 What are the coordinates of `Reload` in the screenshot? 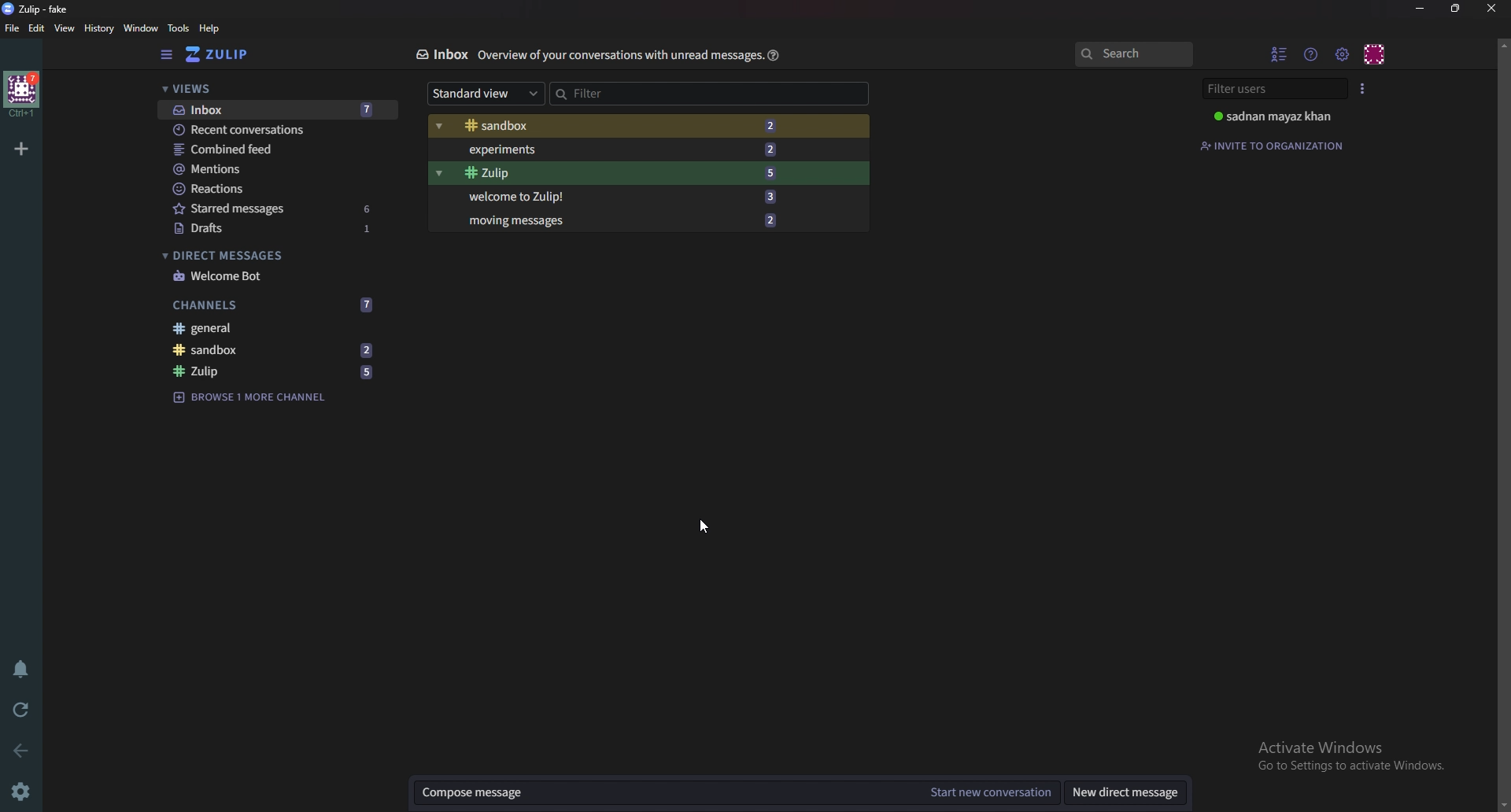 It's located at (20, 712).